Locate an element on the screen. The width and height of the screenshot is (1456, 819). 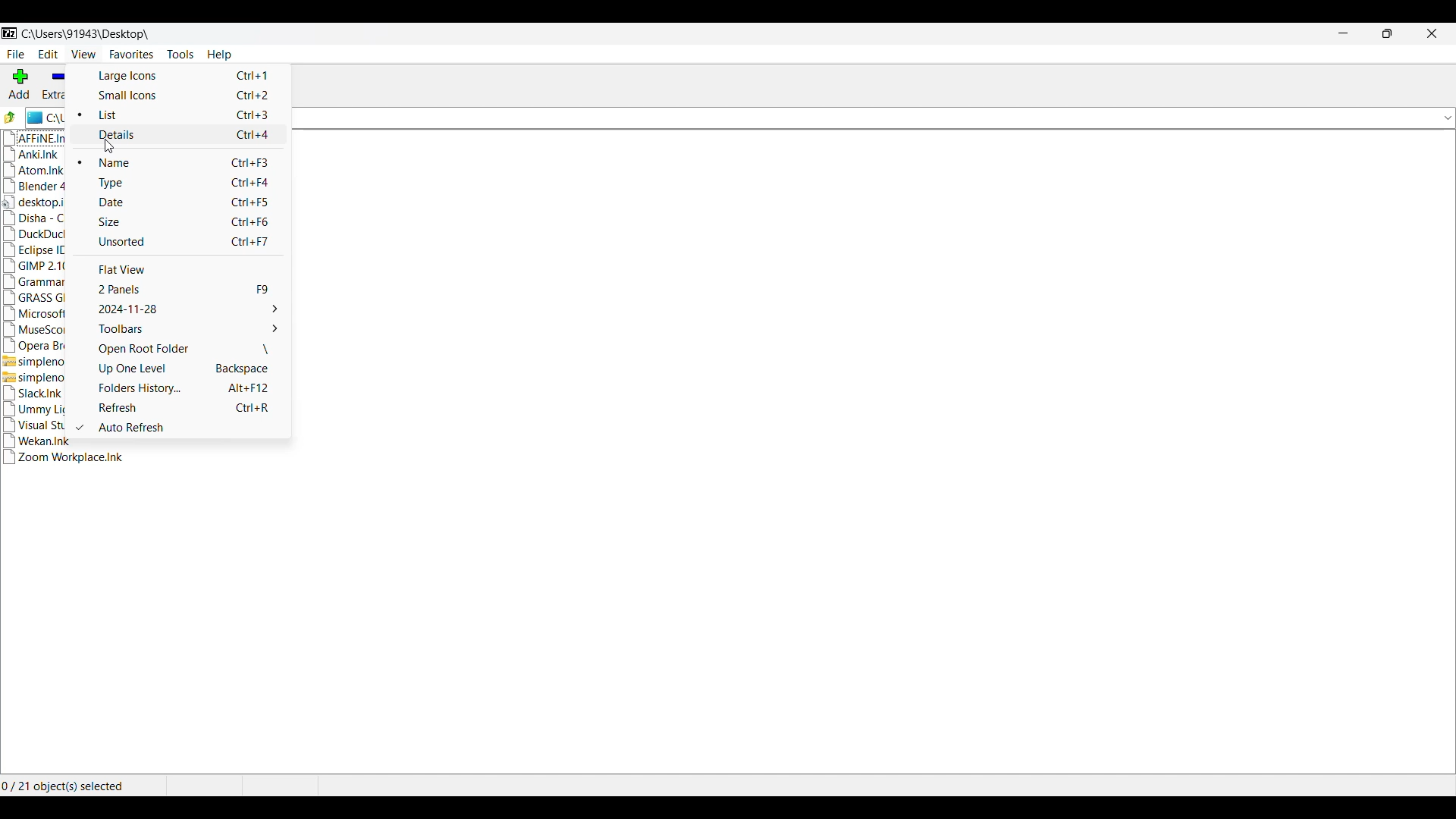
Details is located at coordinates (188, 135).